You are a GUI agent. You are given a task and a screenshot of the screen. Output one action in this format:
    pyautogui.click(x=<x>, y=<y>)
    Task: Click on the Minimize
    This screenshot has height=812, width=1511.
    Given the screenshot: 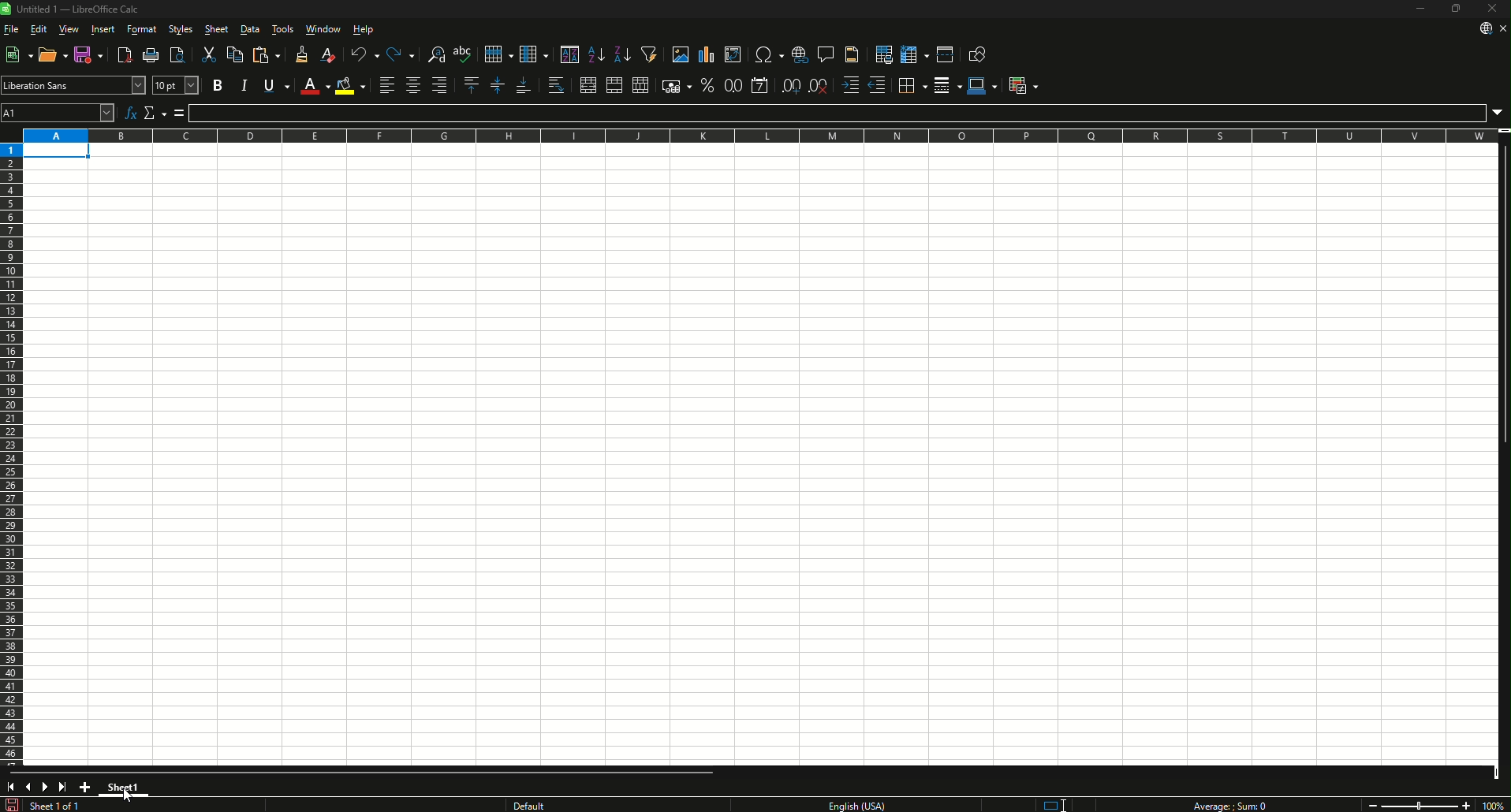 What is the action you would take?
    pyautogui.click(x=1420, y=8)
    